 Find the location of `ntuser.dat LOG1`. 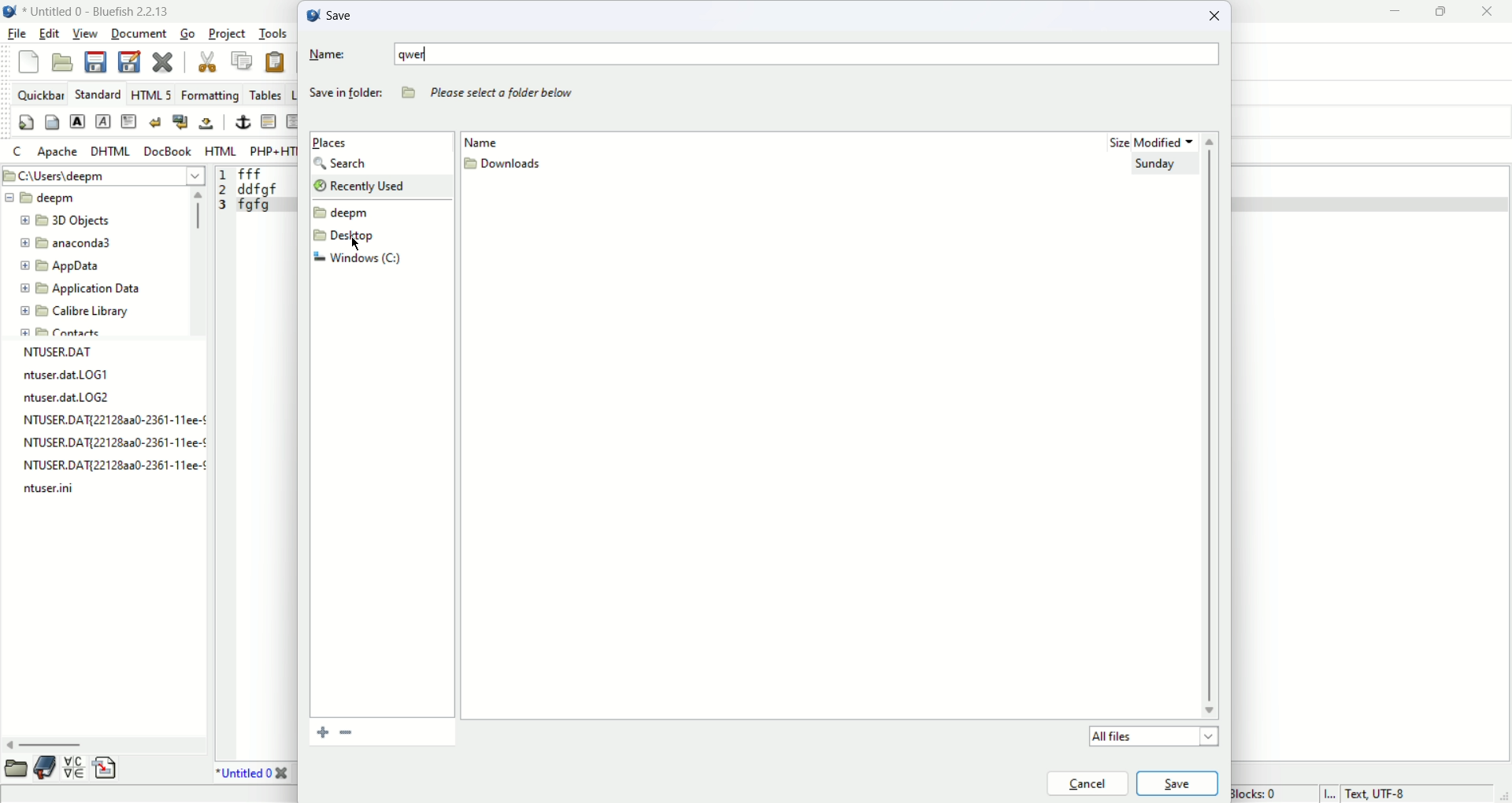

ntuser.dat LOG1 is located at coordinates (77, 376).